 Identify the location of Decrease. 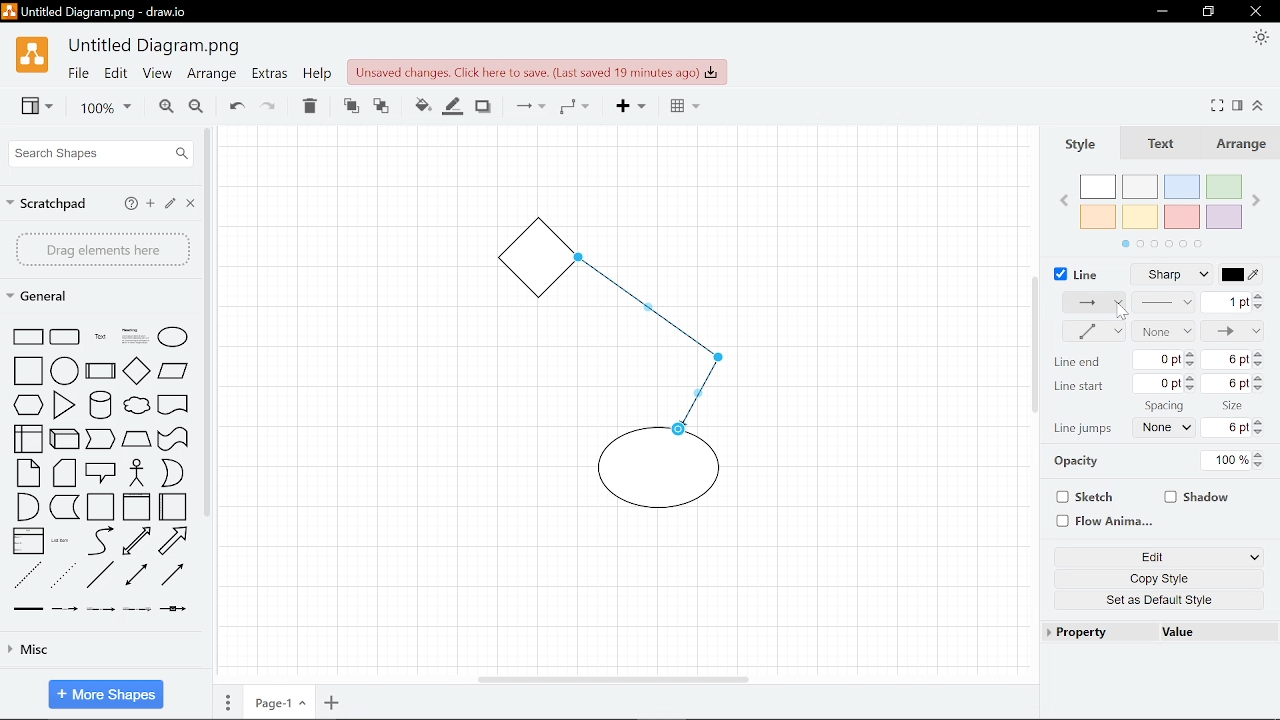
(1259, 388).